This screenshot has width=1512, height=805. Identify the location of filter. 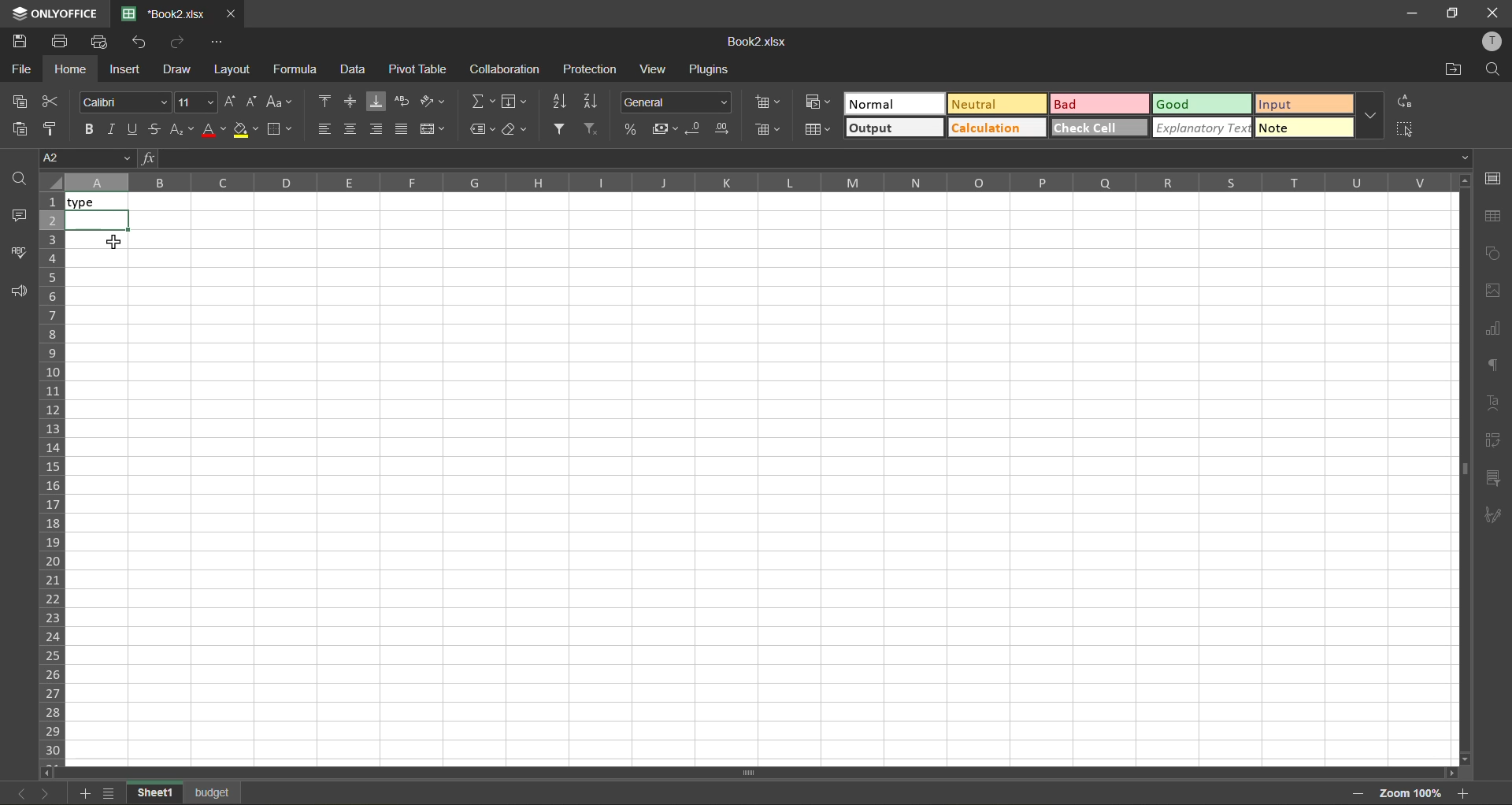
(562, 129).